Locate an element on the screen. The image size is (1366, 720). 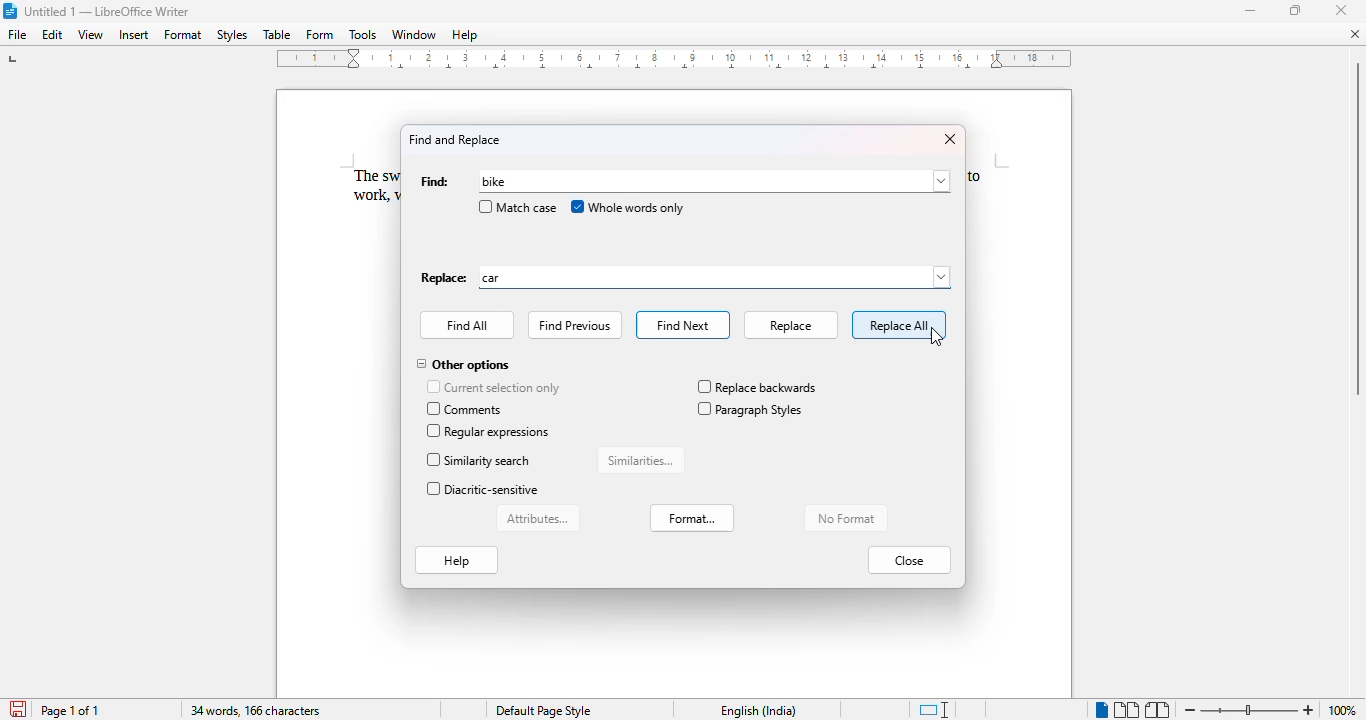
close is located at coordinates (949, 139).